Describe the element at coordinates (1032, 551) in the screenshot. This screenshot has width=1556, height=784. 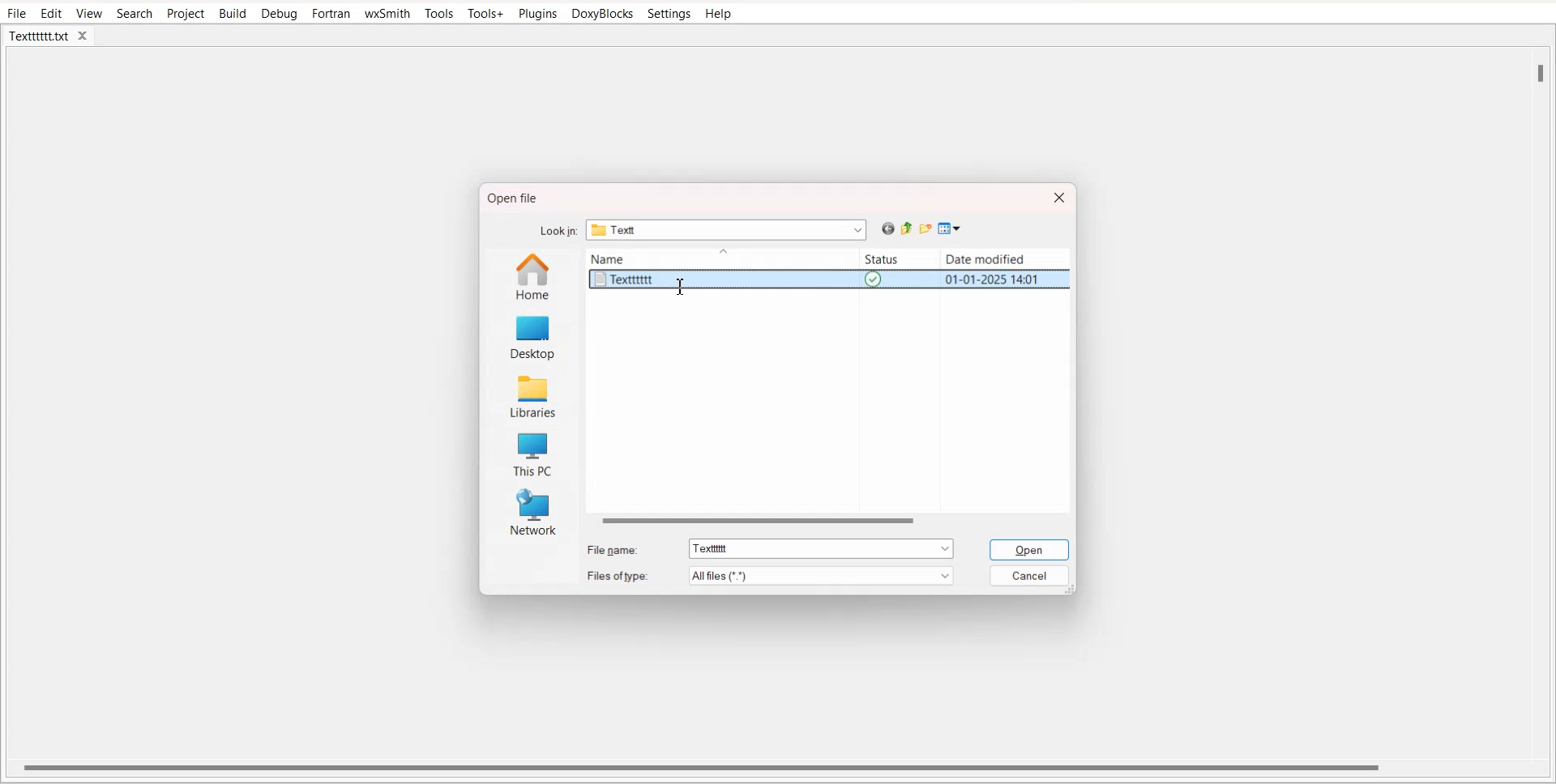
I see `Open` at that location.